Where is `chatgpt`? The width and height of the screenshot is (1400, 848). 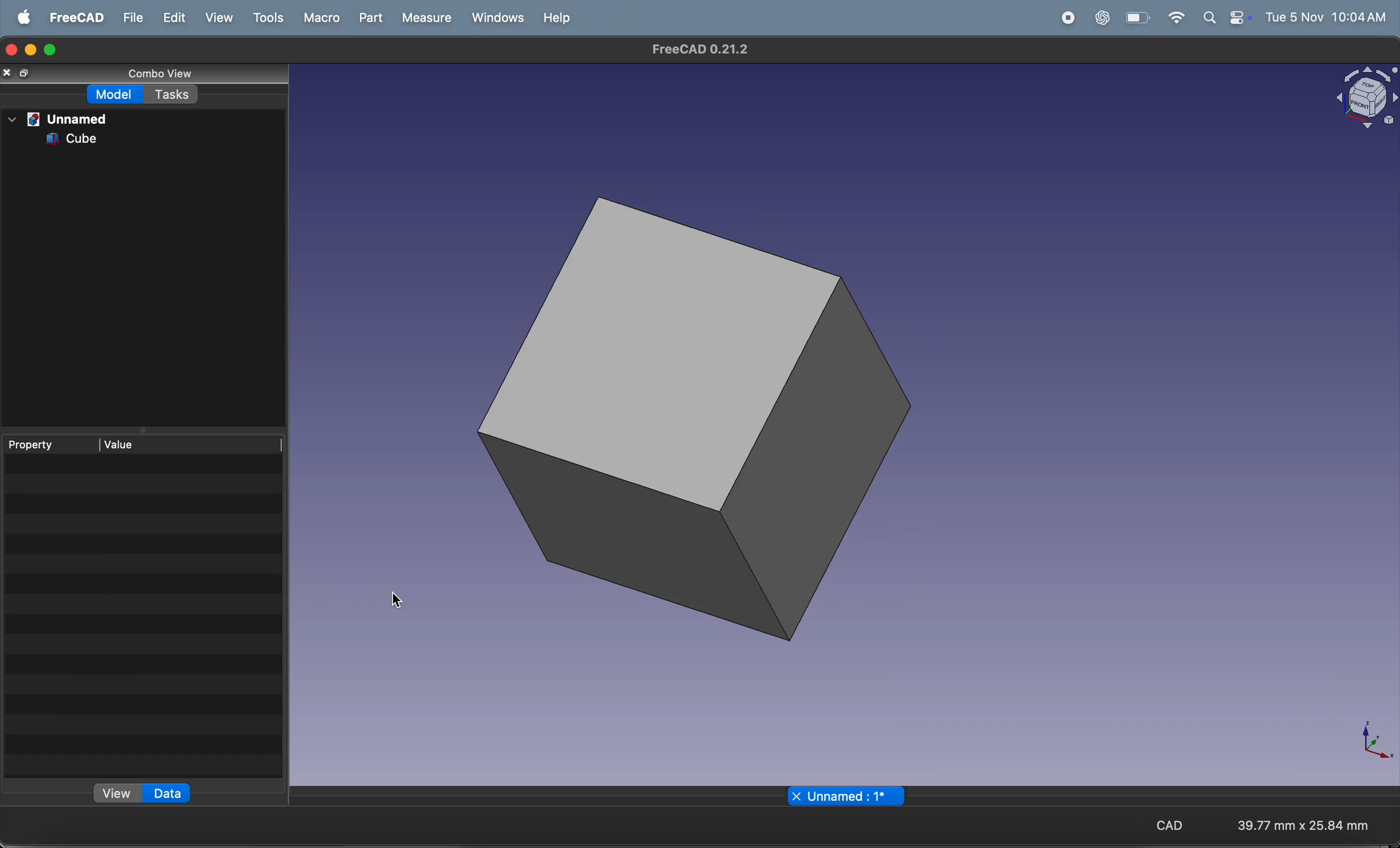
chatgpt is located at coordinates (1100, 16).